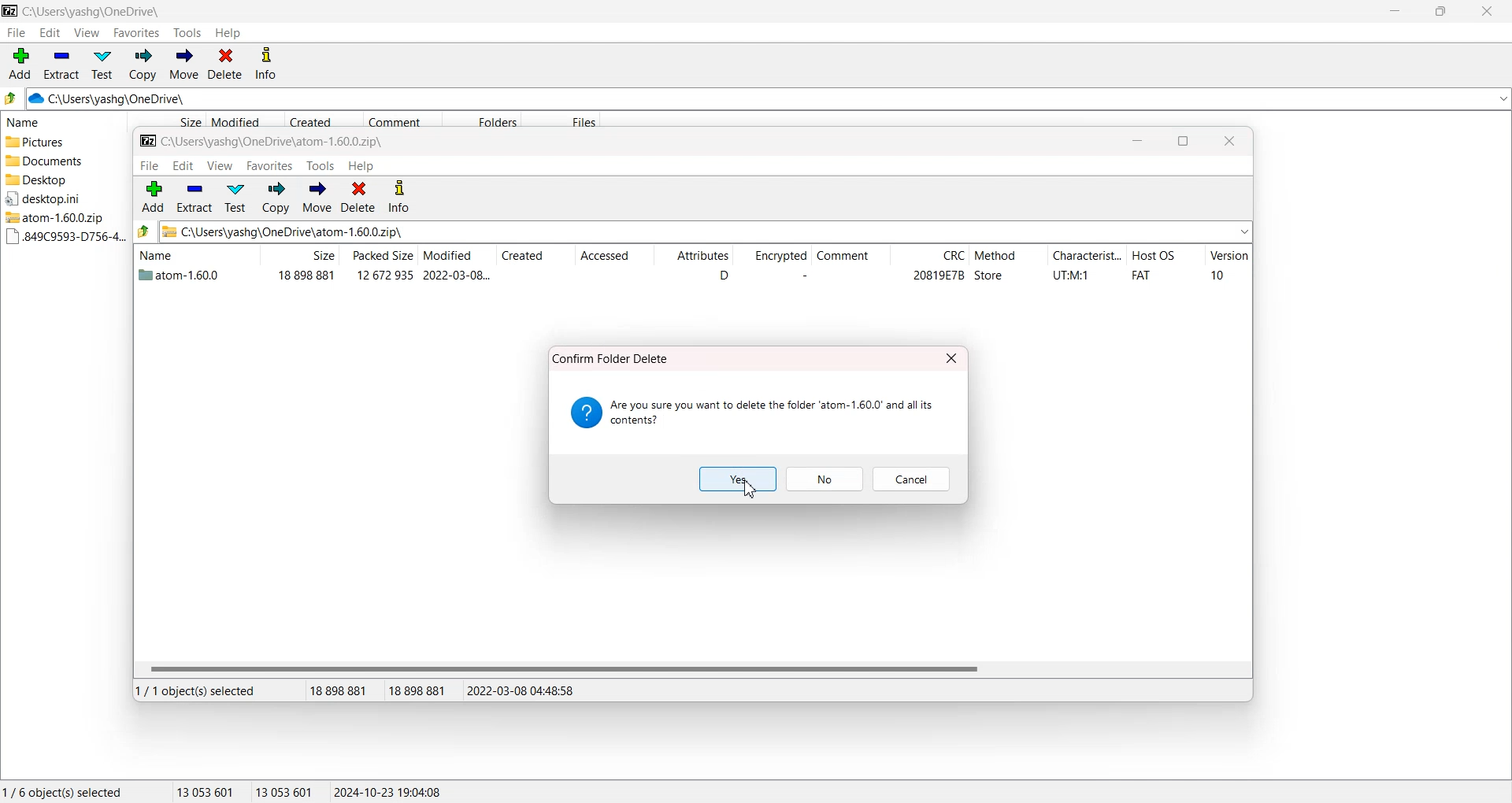 The image size is (1512, 803). Describe the element at coordinates (952, 357) in the screenshot. I see `Close window` at that location.